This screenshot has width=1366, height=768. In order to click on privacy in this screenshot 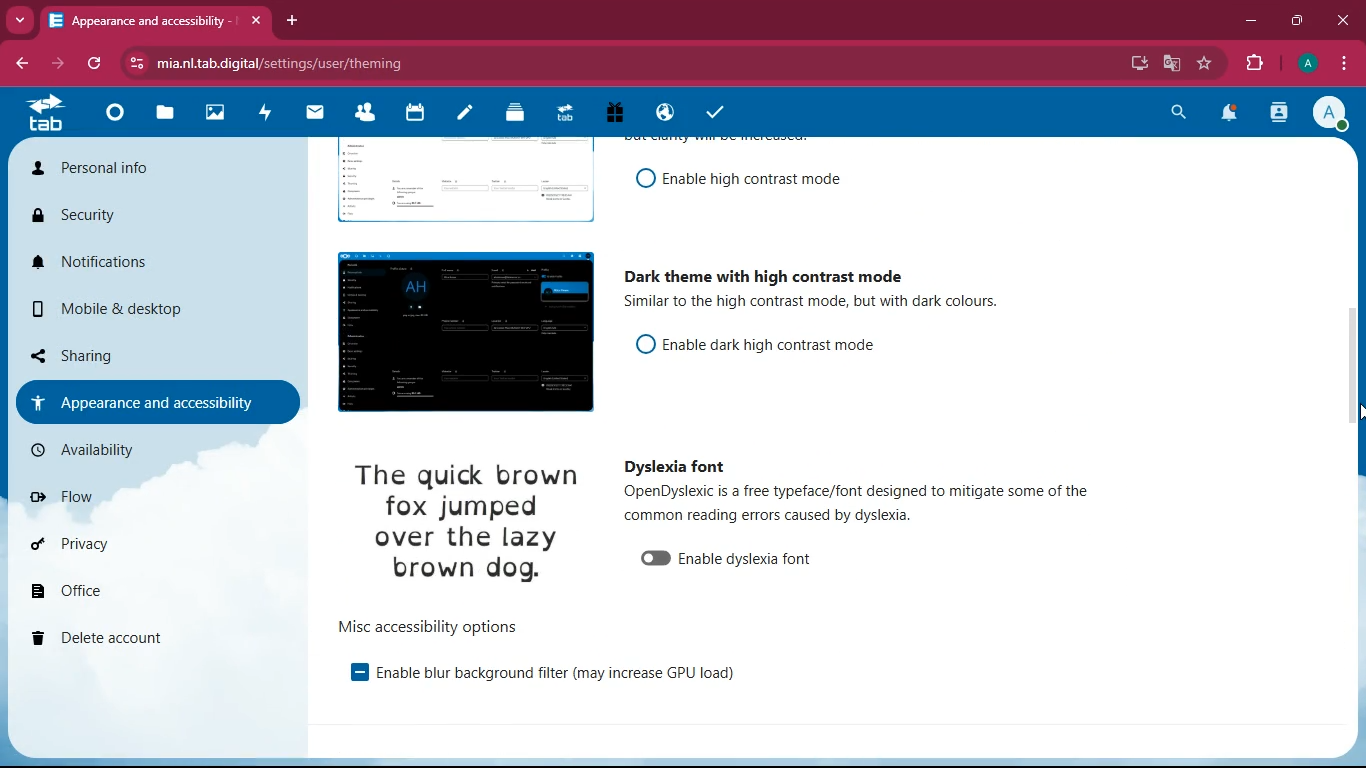, I will do `click(110, 543)`.